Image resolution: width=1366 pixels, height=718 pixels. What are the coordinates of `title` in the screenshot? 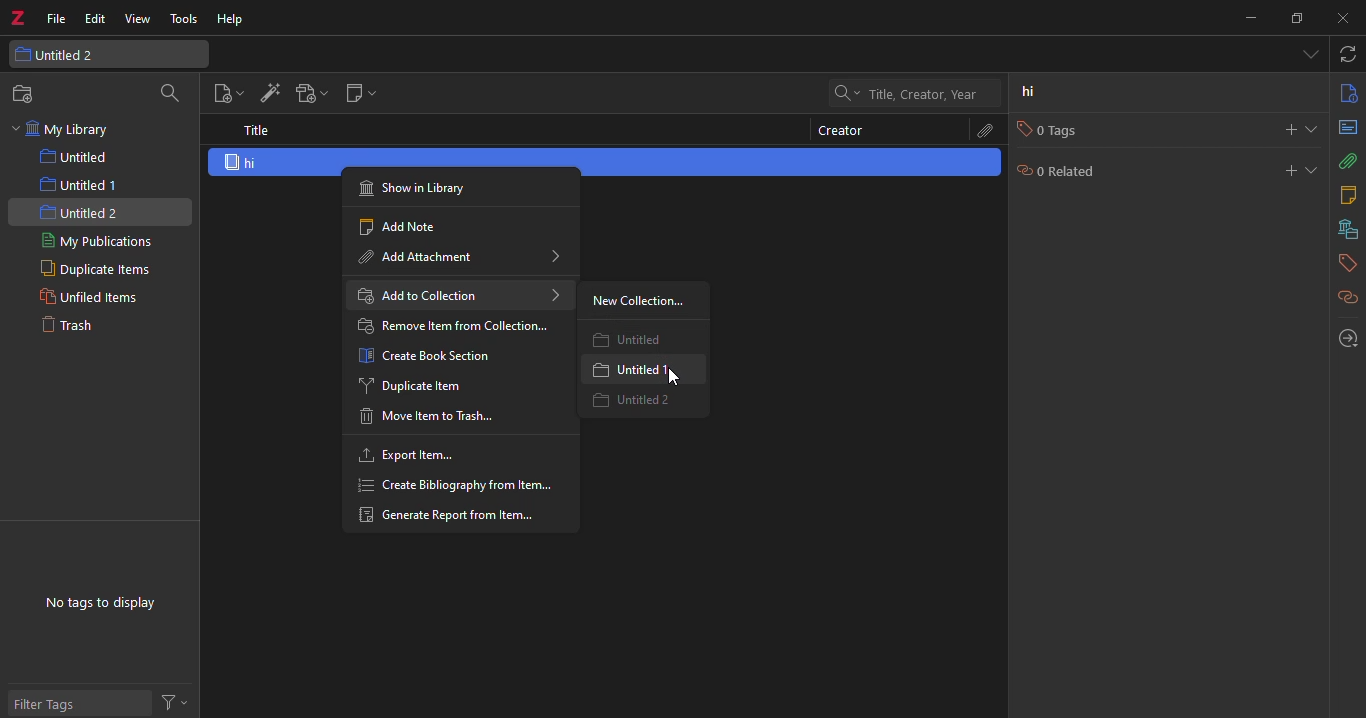 It's located at (255, 130).